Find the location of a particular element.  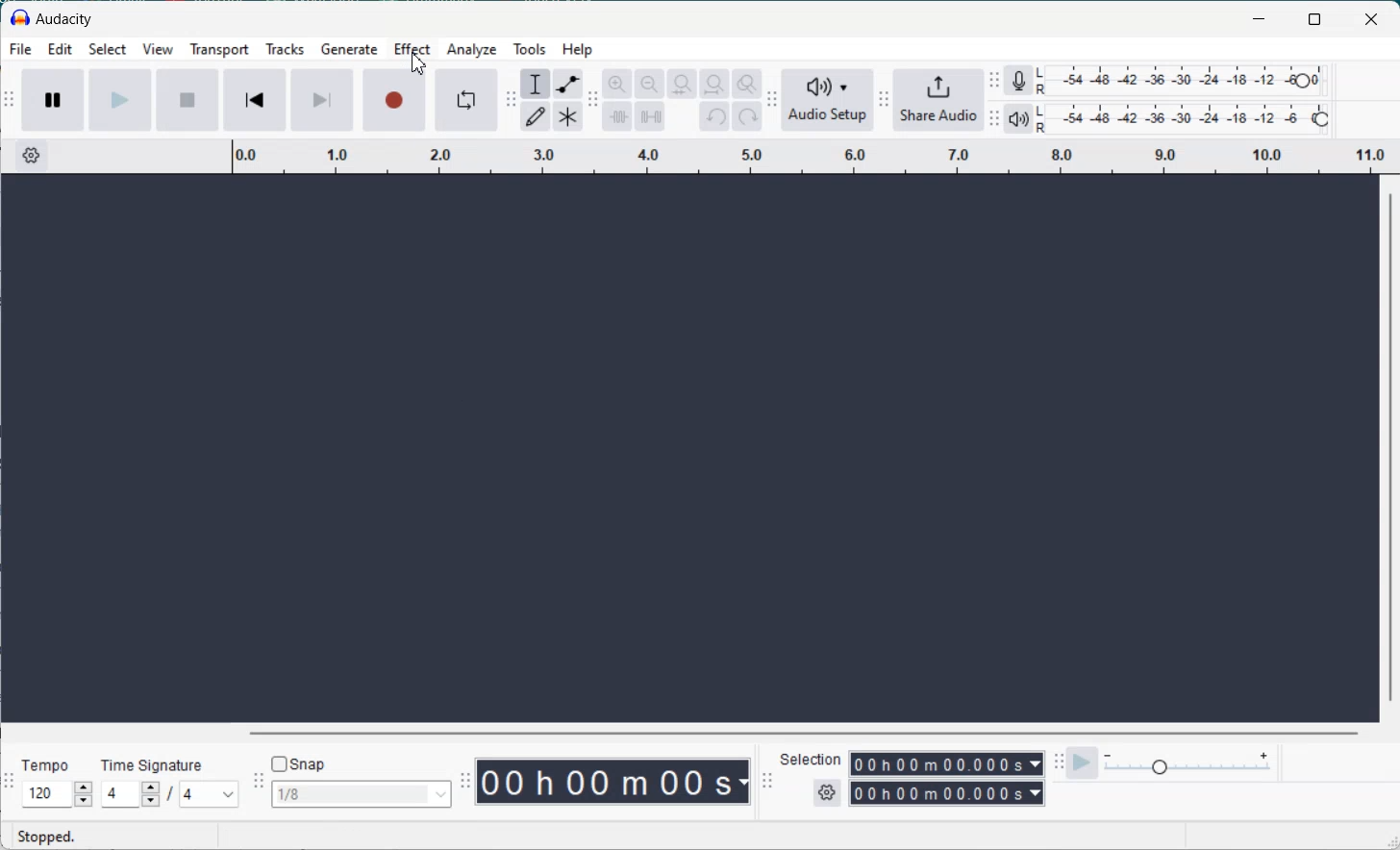

/ is located at coordinates (173, 796).